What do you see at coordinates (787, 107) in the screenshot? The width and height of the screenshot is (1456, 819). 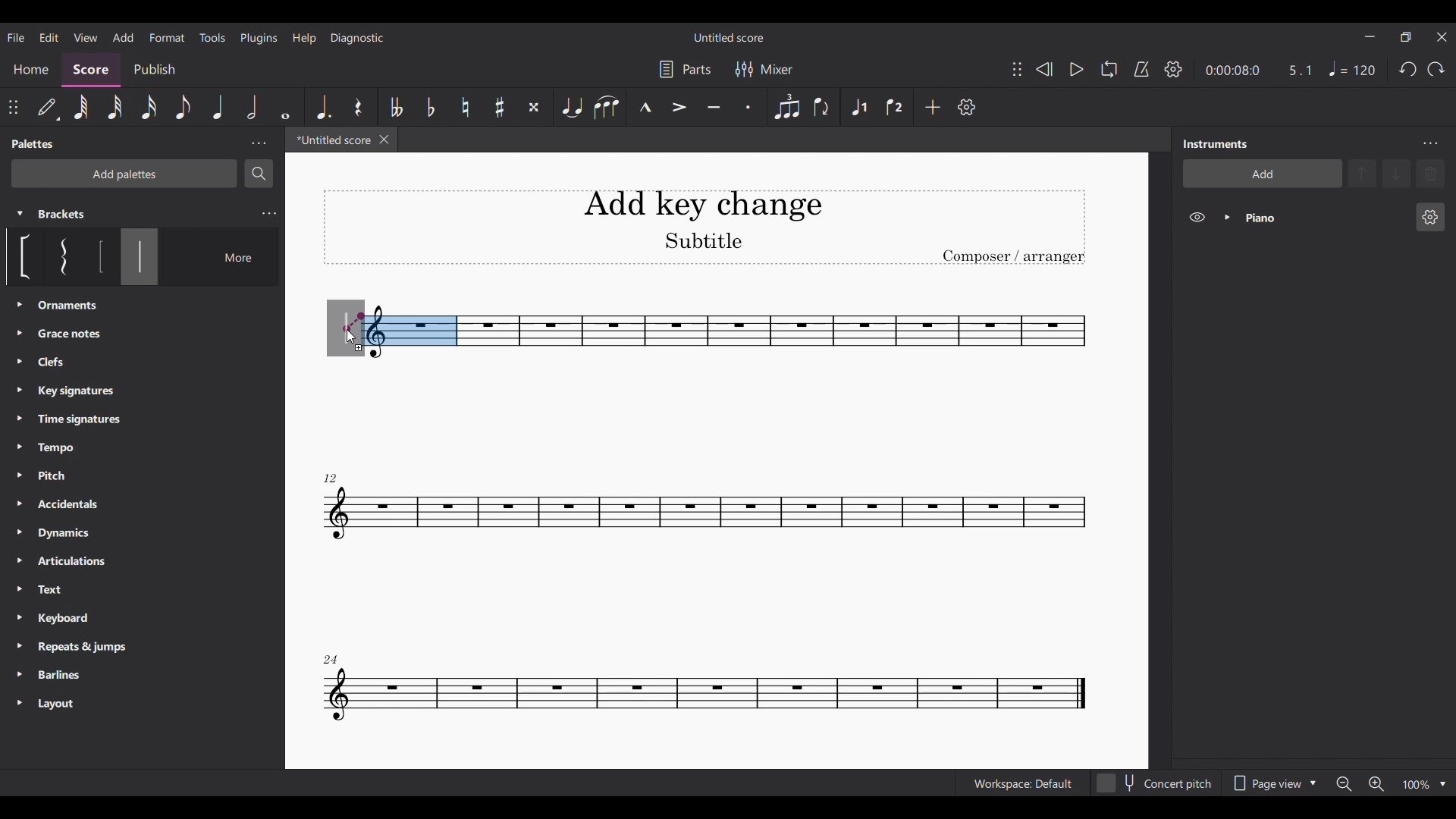 I see `Tuplet` at bounding box center [787, 107].